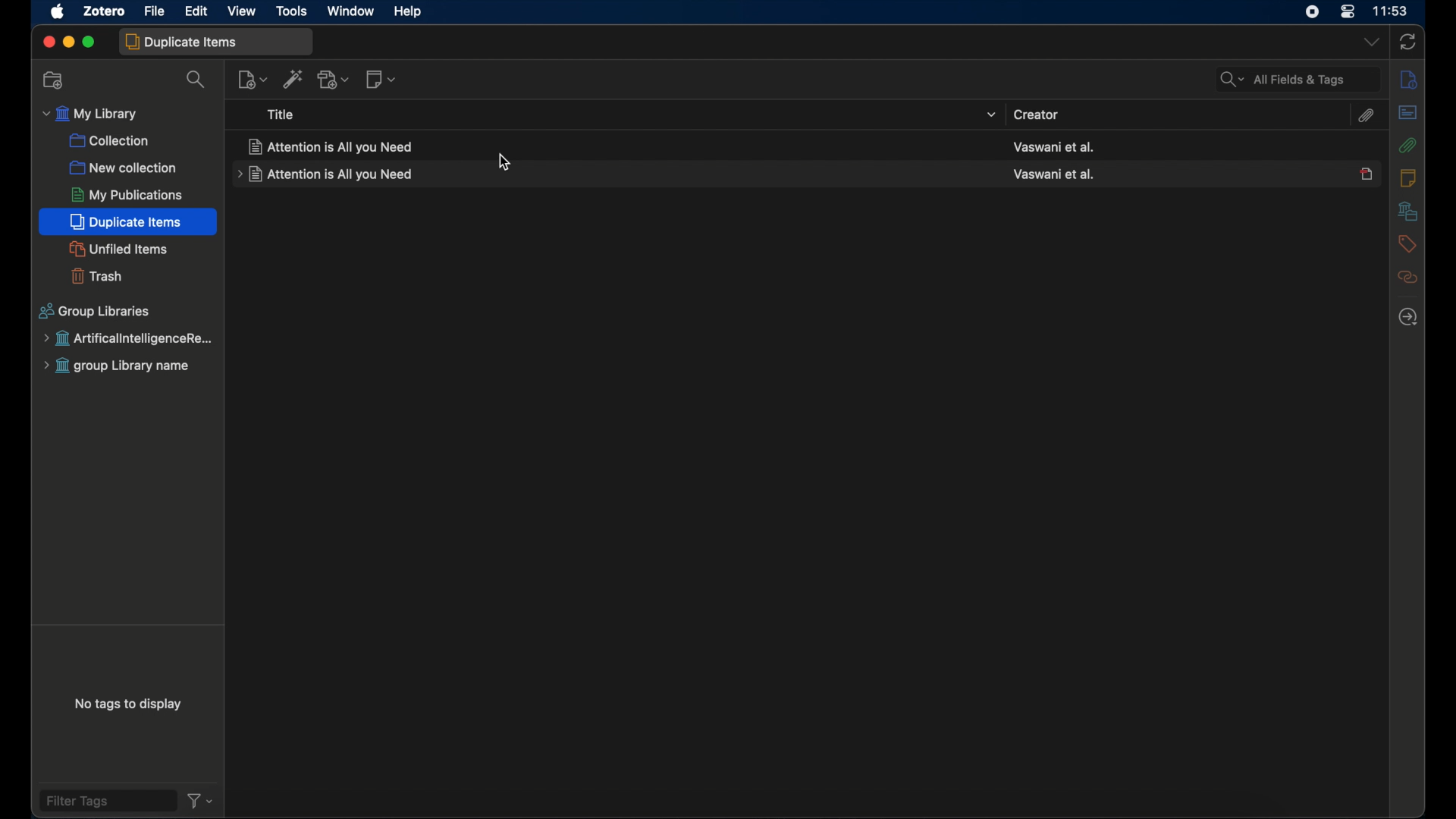  I want to click on creator, so click(1053, 173).